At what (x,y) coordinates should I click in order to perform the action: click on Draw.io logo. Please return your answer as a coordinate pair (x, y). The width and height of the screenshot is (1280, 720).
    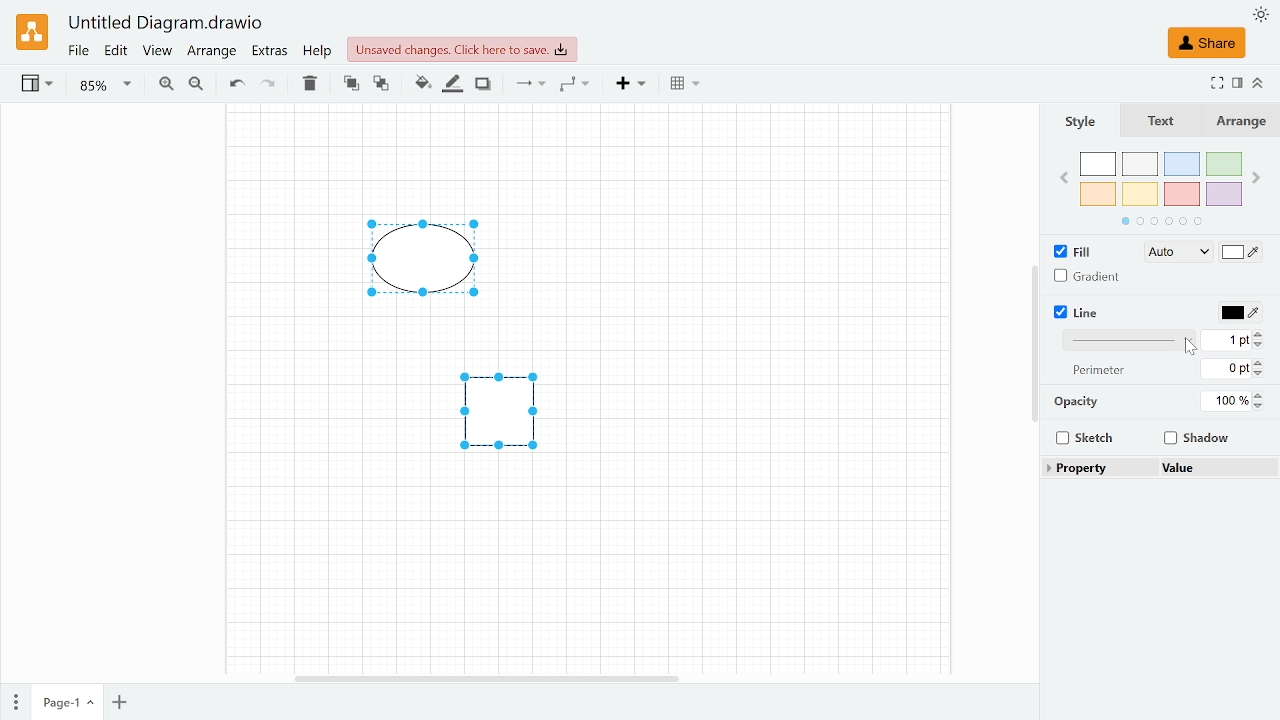
    Looking at the image, I should click on (32, 32).